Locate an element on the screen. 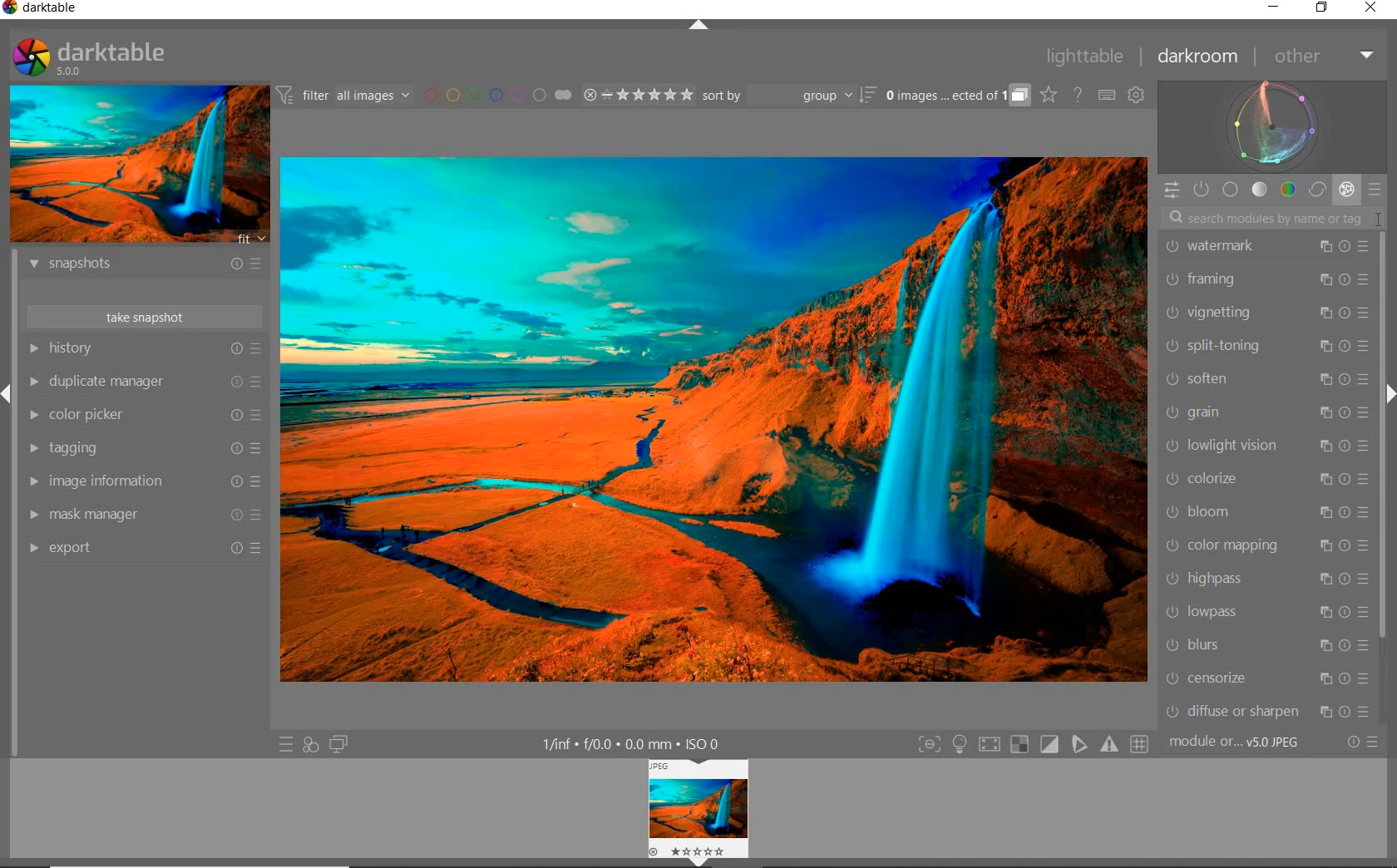  highpass is located at coordinates (1266, 581).